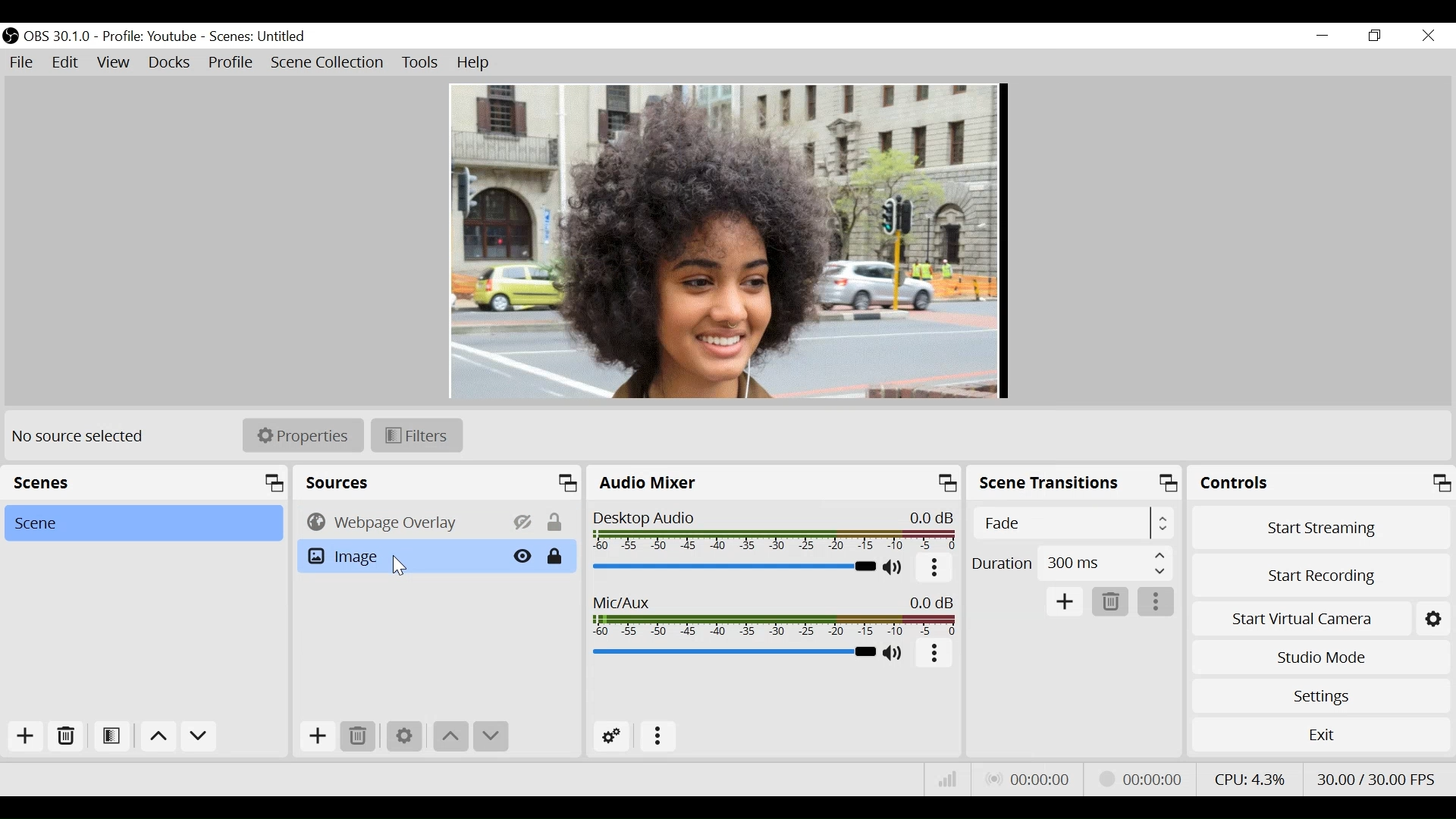  What do you see at coordinates (894, 568) in the screenshot?
I see `(un)mute` at bounding box center [894, 568].